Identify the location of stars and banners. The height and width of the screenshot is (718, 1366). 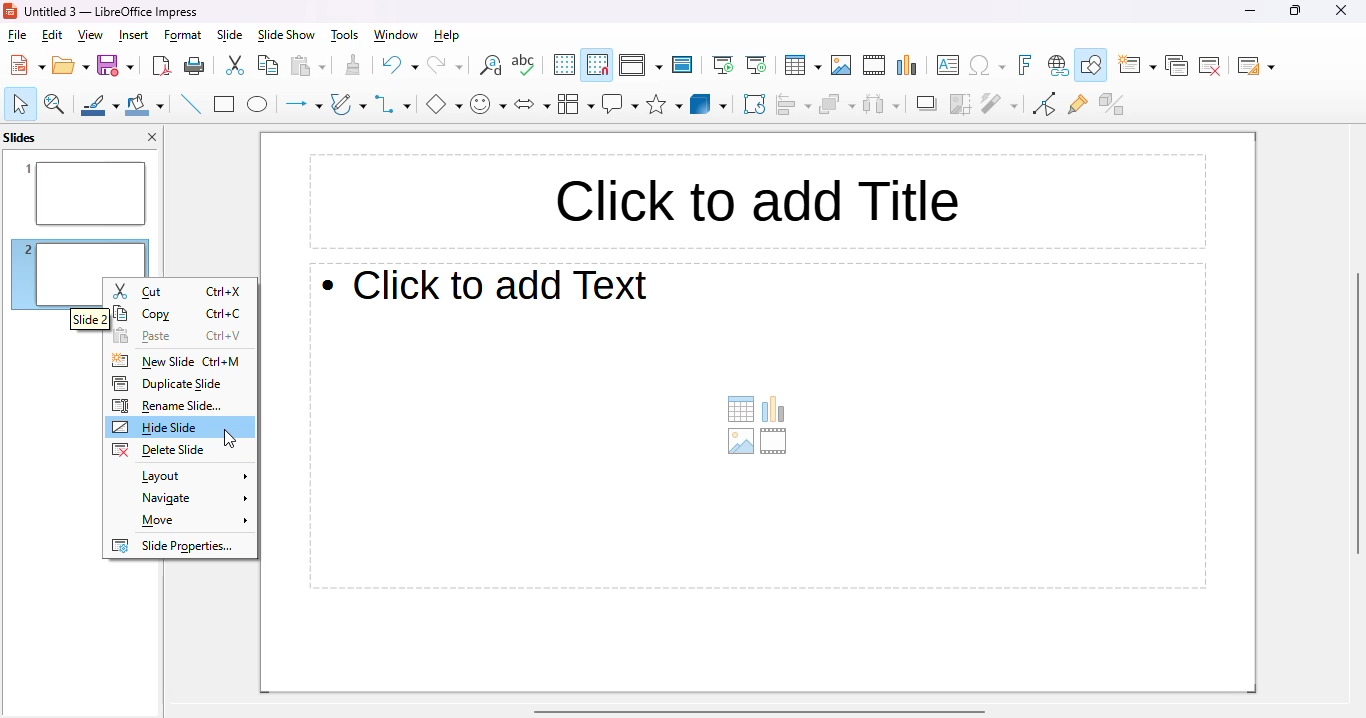
(663, 105).